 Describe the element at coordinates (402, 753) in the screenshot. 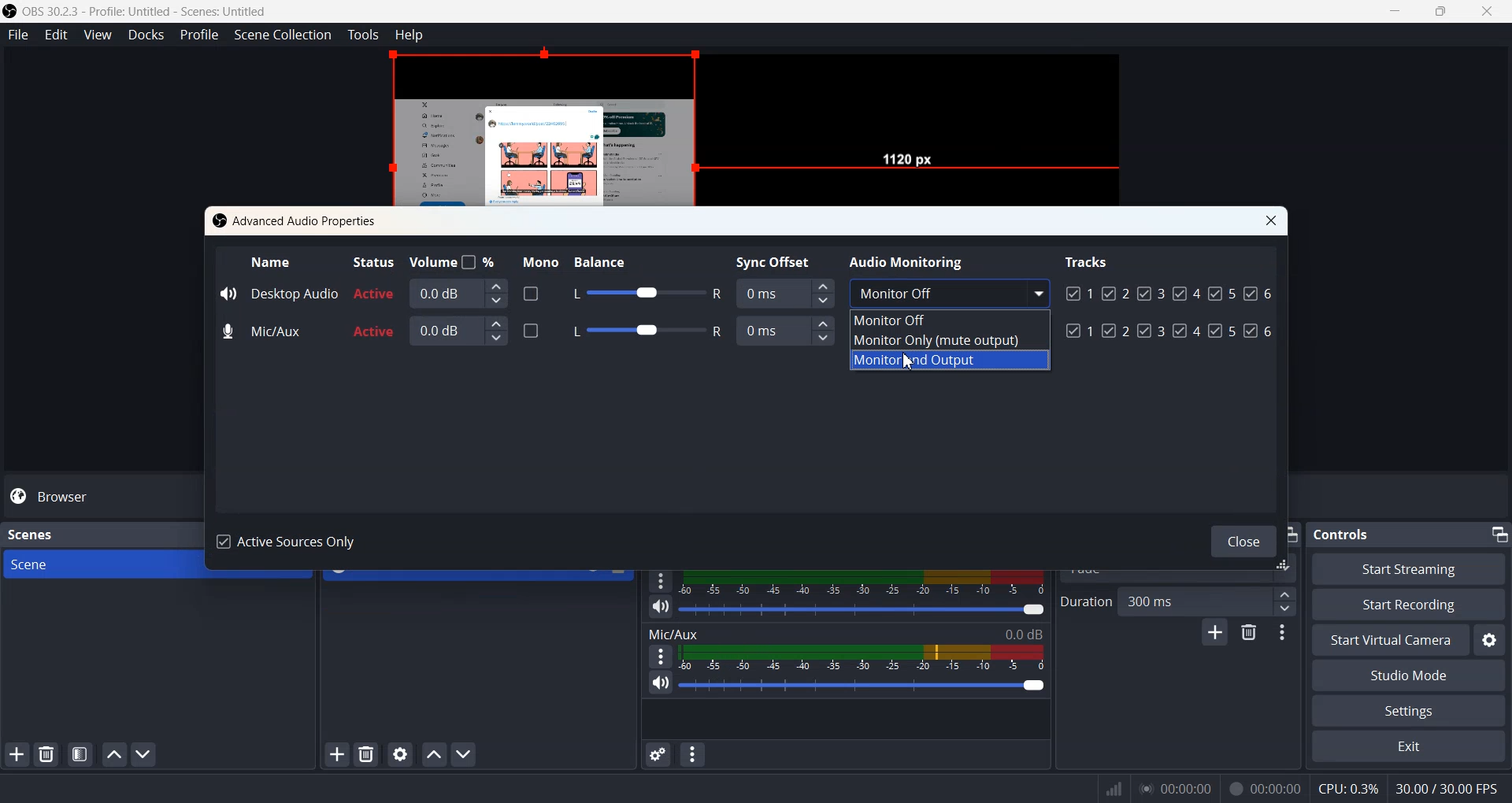

I see `Open source properties` at that location.